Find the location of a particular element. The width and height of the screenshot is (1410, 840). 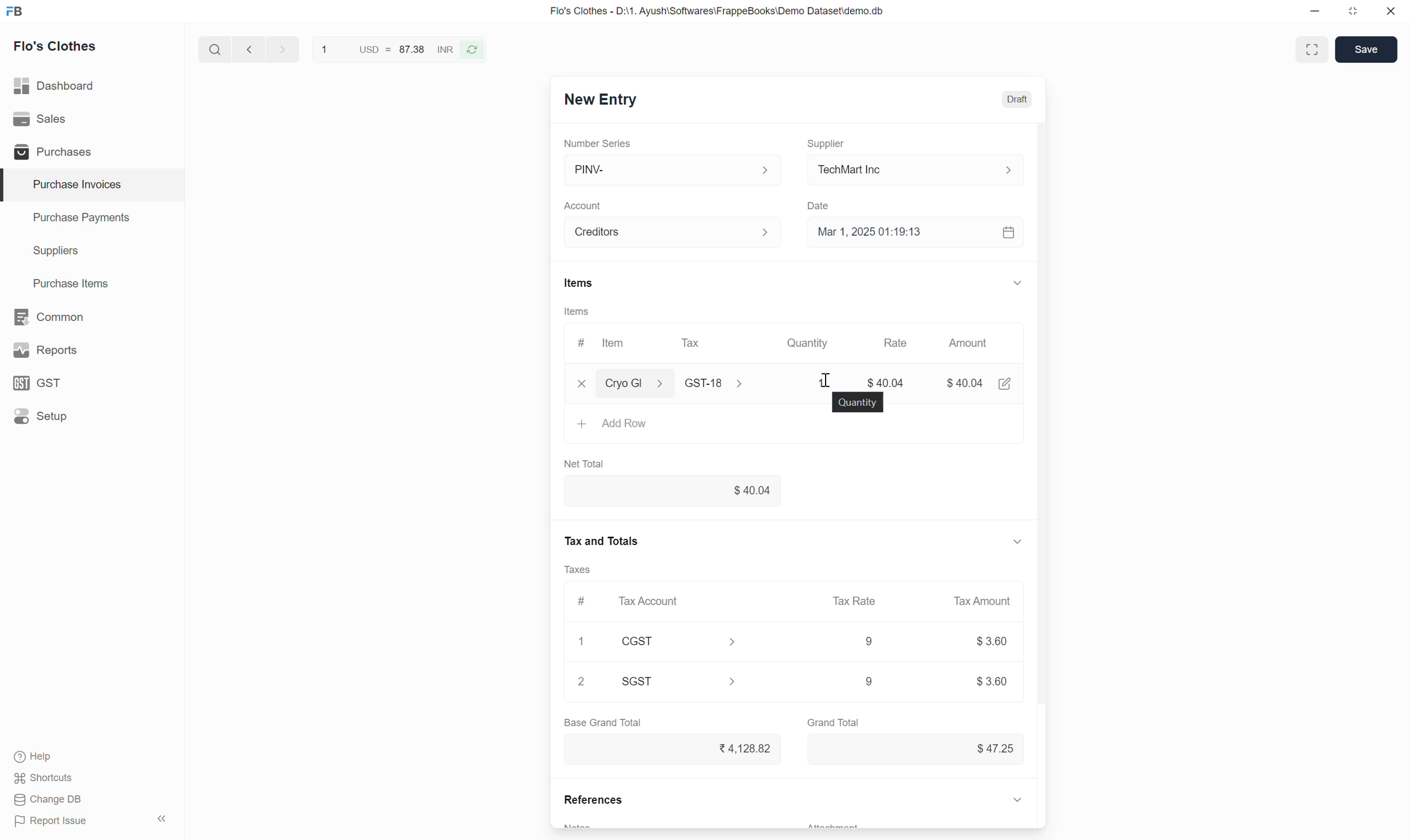

Save is located at coordinates (1365, 49).